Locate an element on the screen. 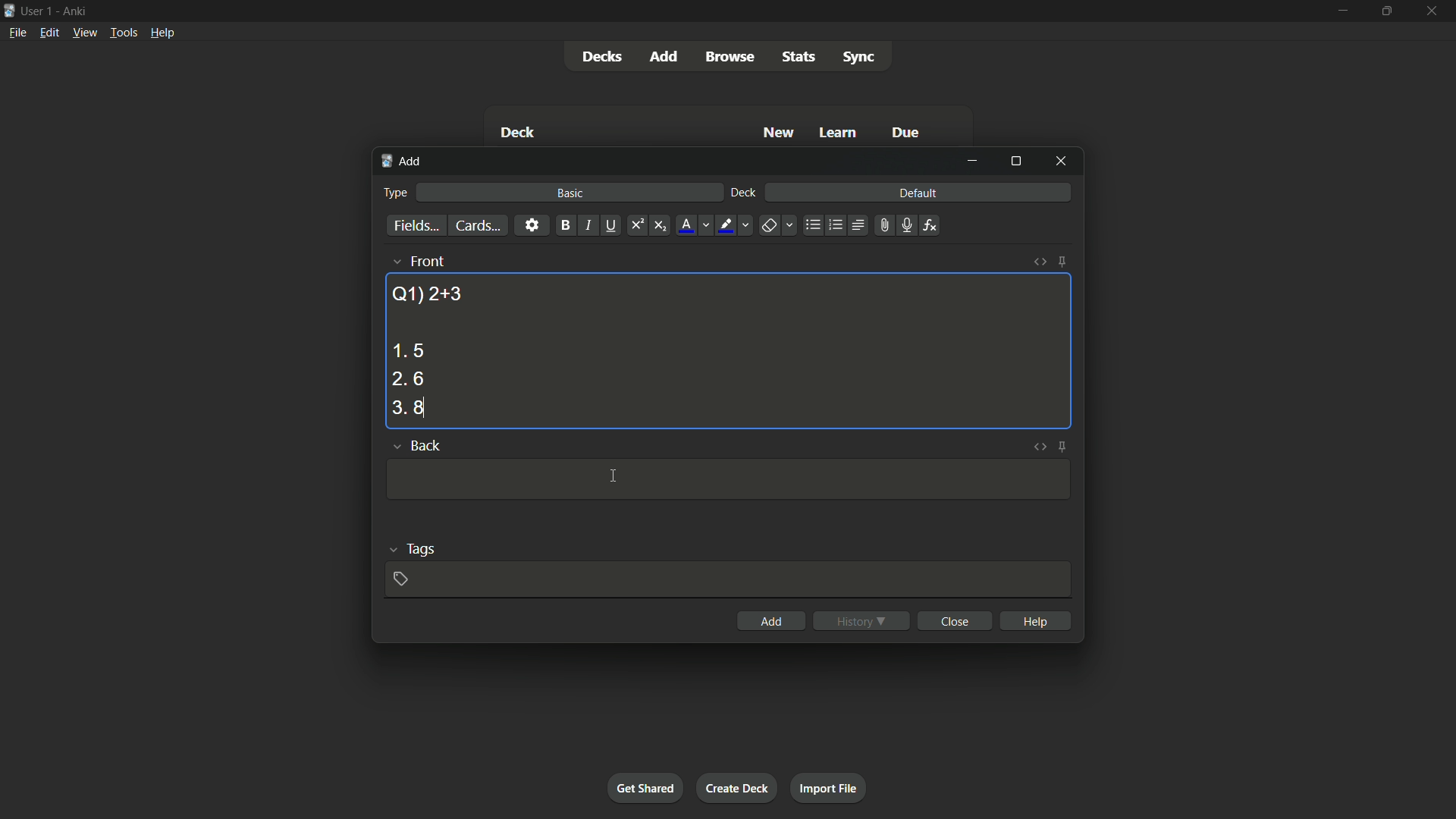 This screenshot has width=1456, height=819. view menu is located at coordinates (83, 31).